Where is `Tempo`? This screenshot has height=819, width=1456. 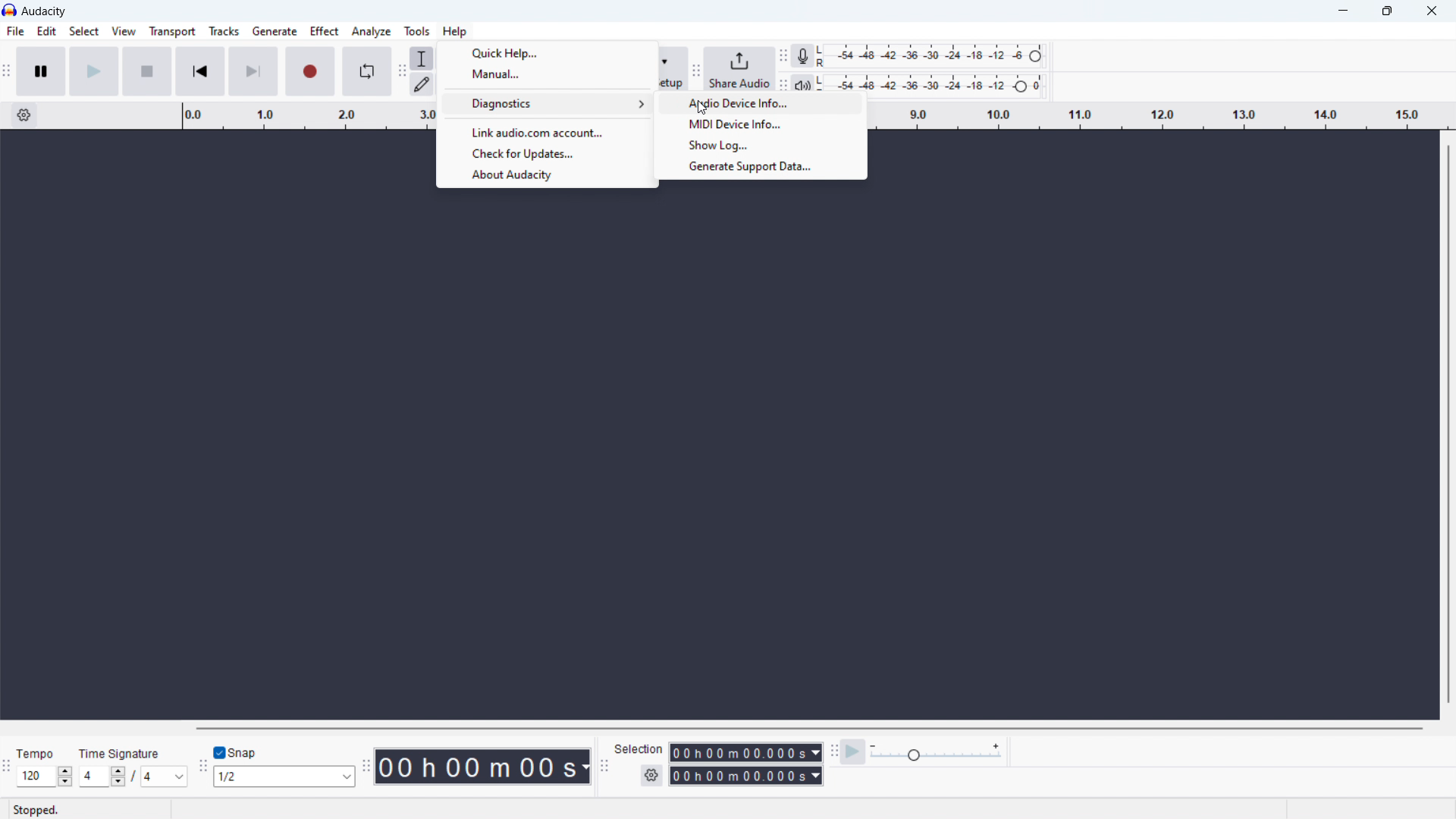
Tempo is located at coordinates (36, 753).